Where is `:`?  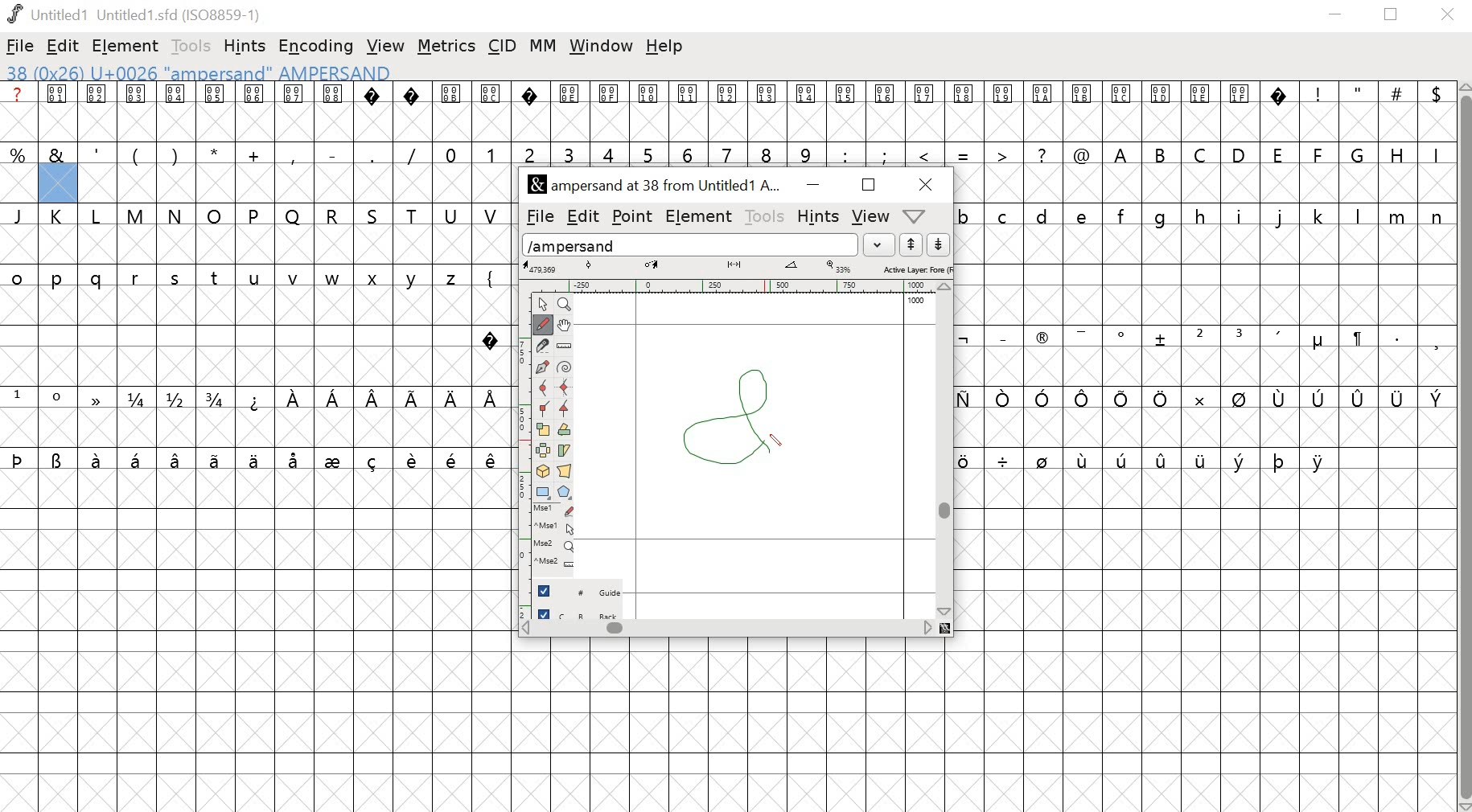
: is located at coordinates (844, 154).